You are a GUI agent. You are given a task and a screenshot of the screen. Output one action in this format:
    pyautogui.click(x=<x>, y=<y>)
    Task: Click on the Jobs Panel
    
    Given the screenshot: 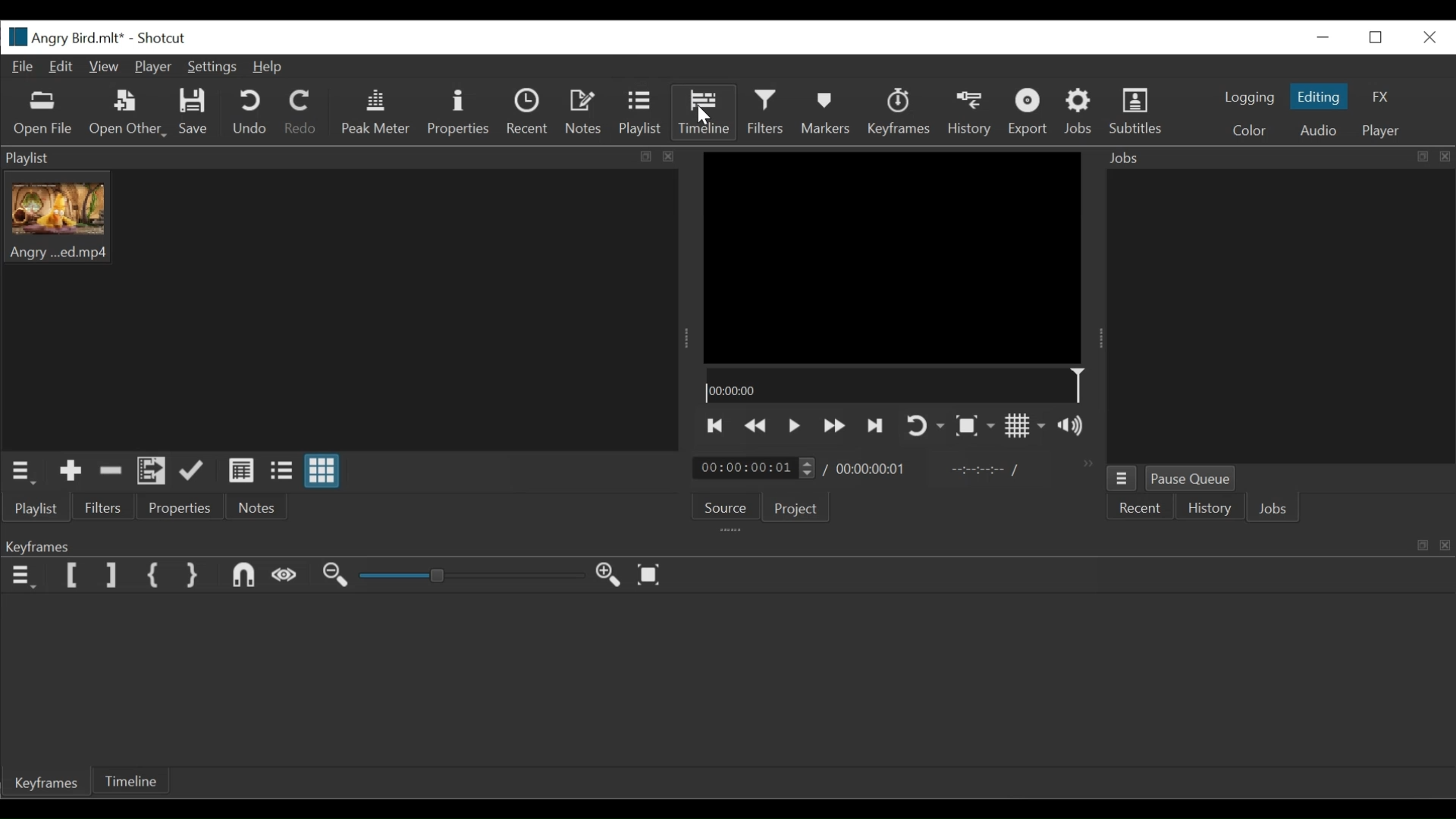 What is the action you would take?
    pyautogui.click(x=1279, y=158)
    